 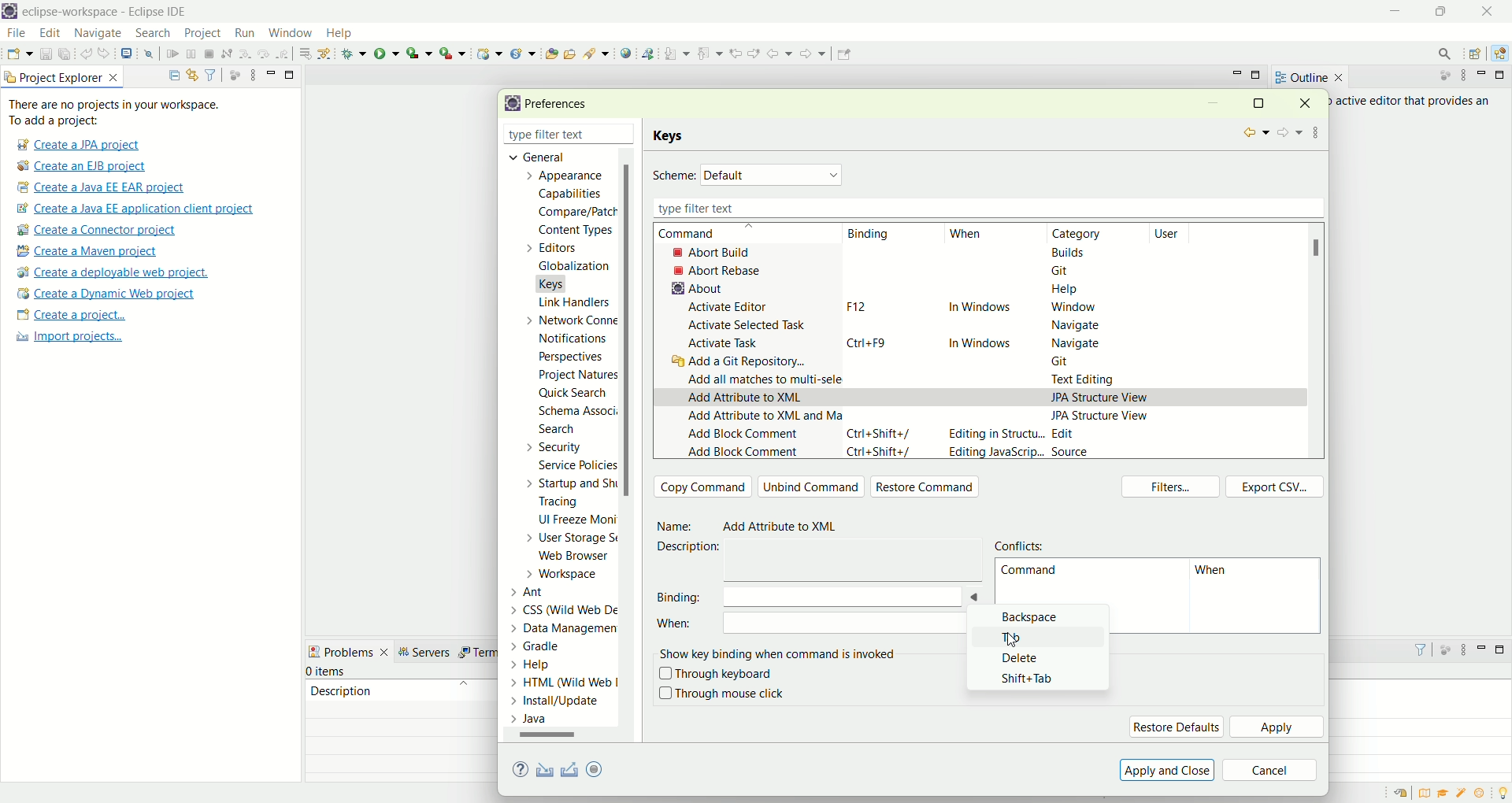 I want to click on Add Attribute to XML, so click(x=787, y=527).